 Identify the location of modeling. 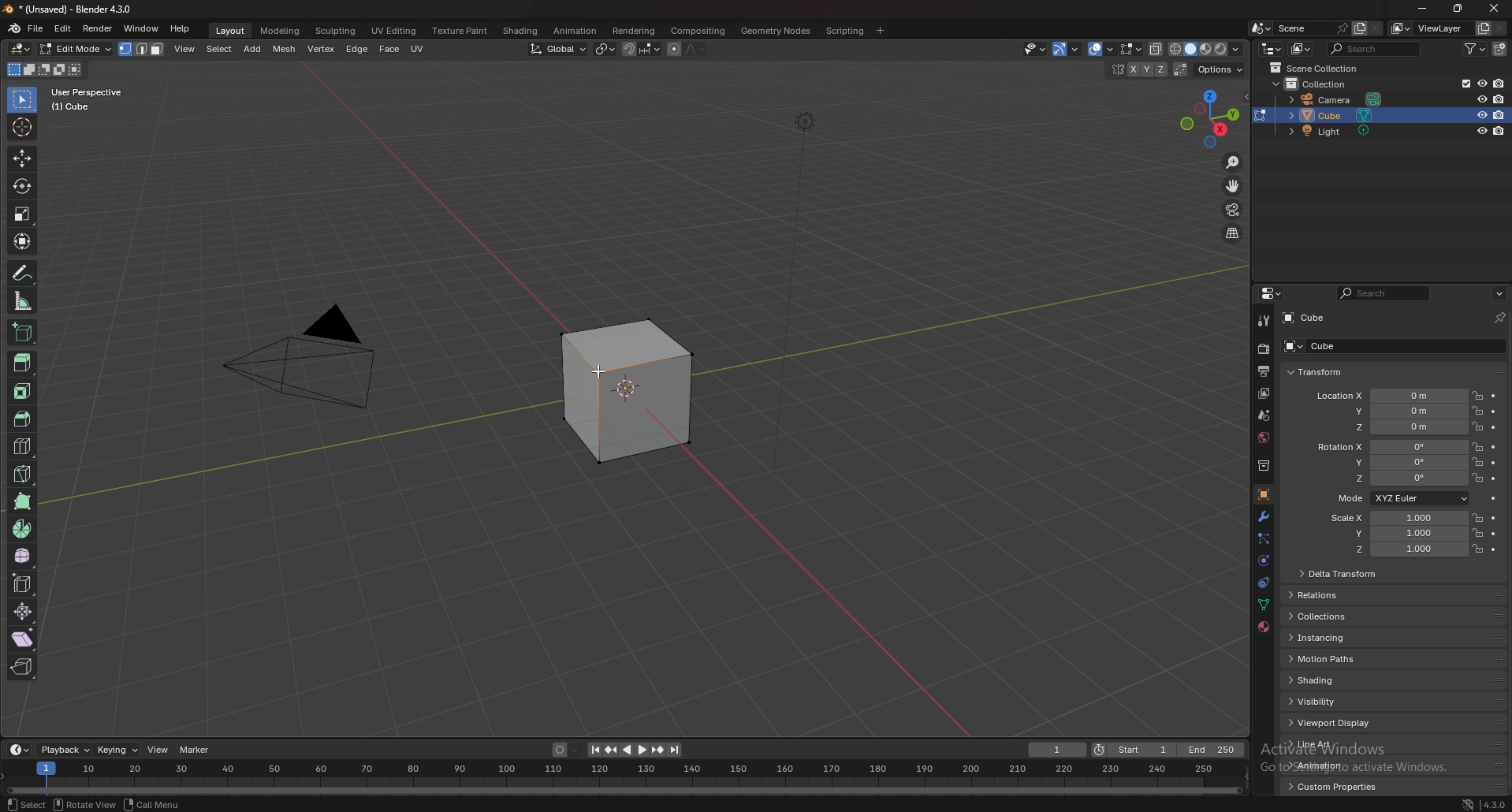
(281, 31).